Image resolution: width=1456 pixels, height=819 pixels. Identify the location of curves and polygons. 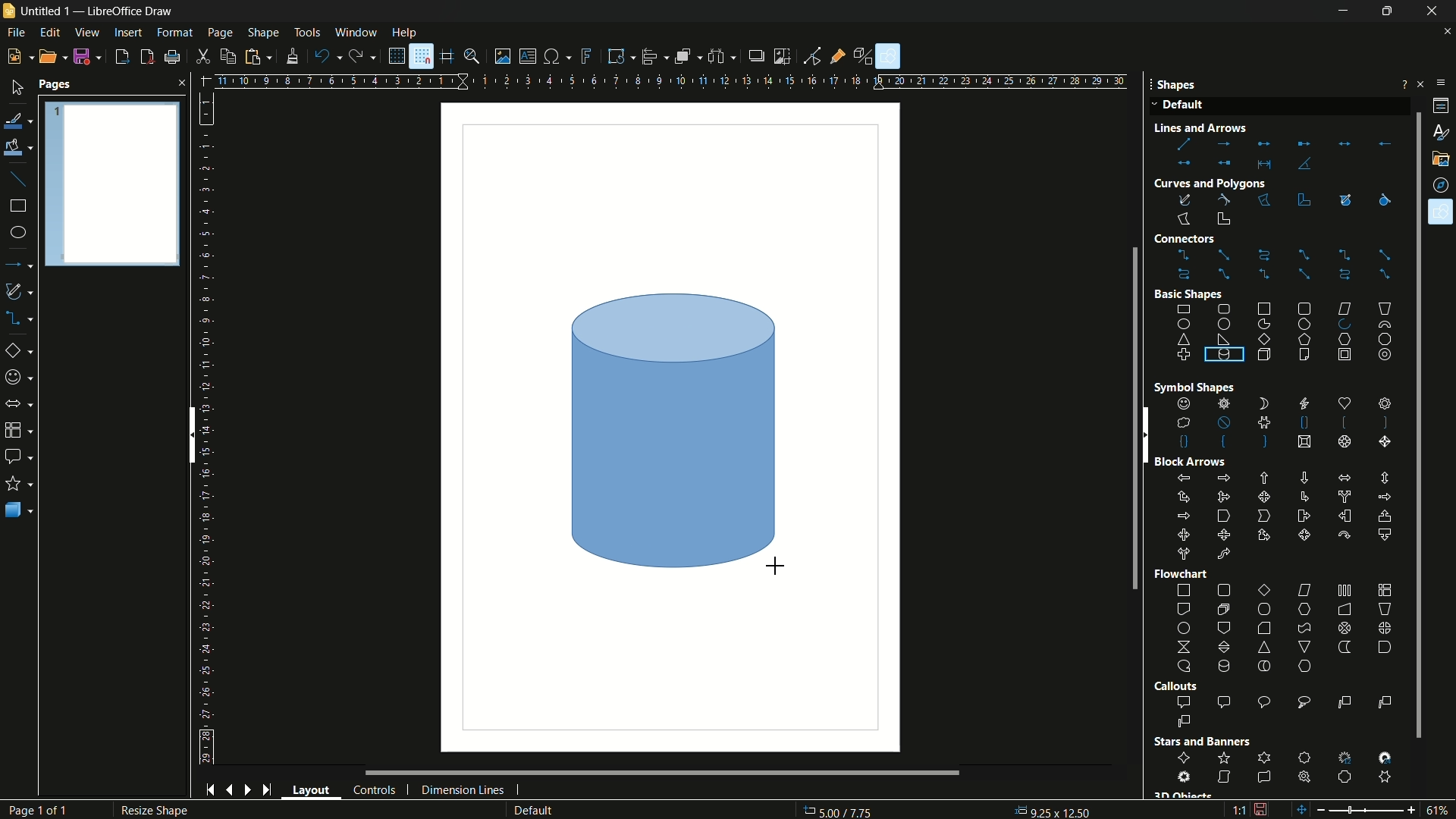
(1208, 208).